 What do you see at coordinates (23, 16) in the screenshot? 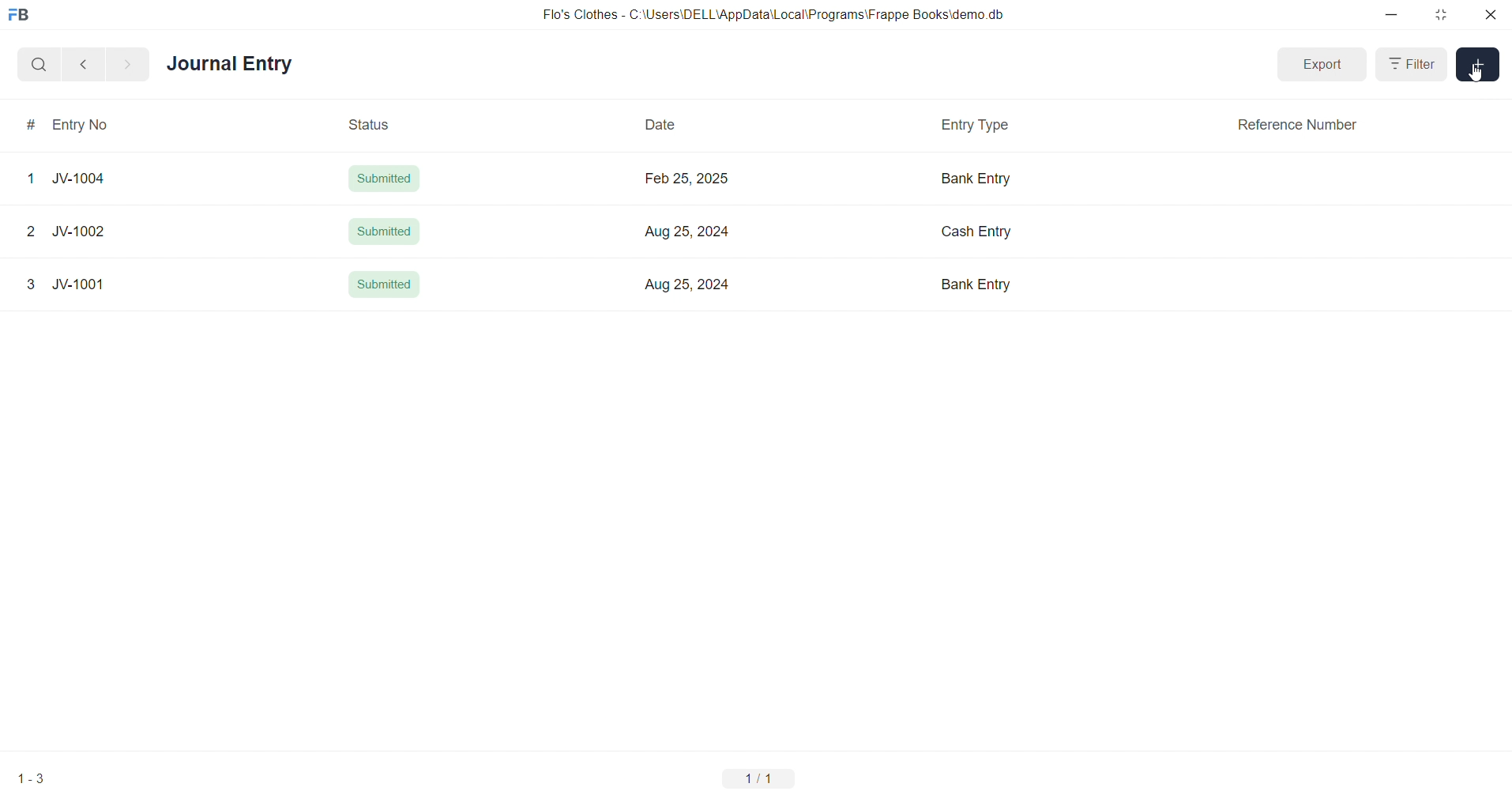
I see `logo` at bounding box center [23, 16].